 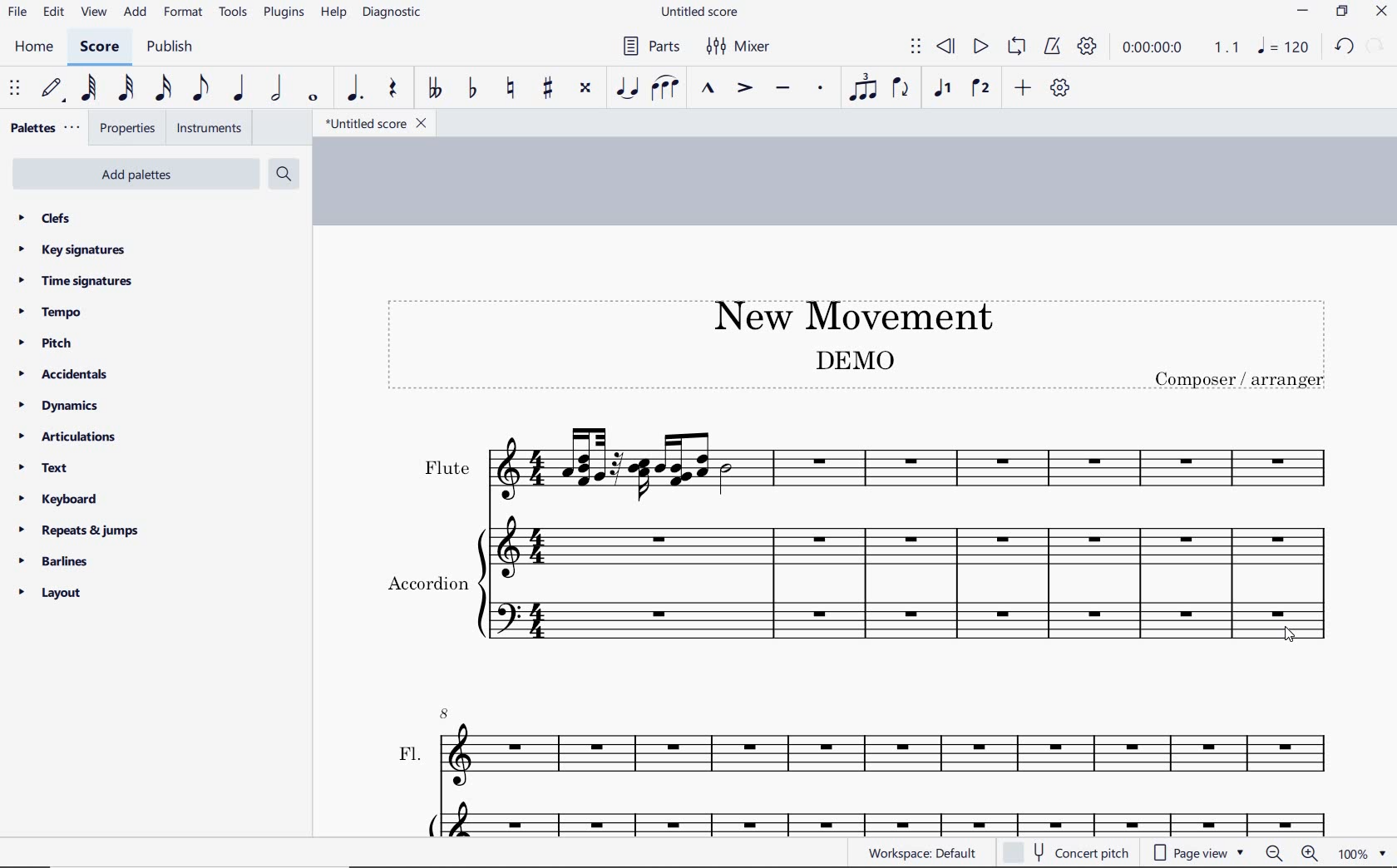 I want to click on help, so click(x=332, y=13).